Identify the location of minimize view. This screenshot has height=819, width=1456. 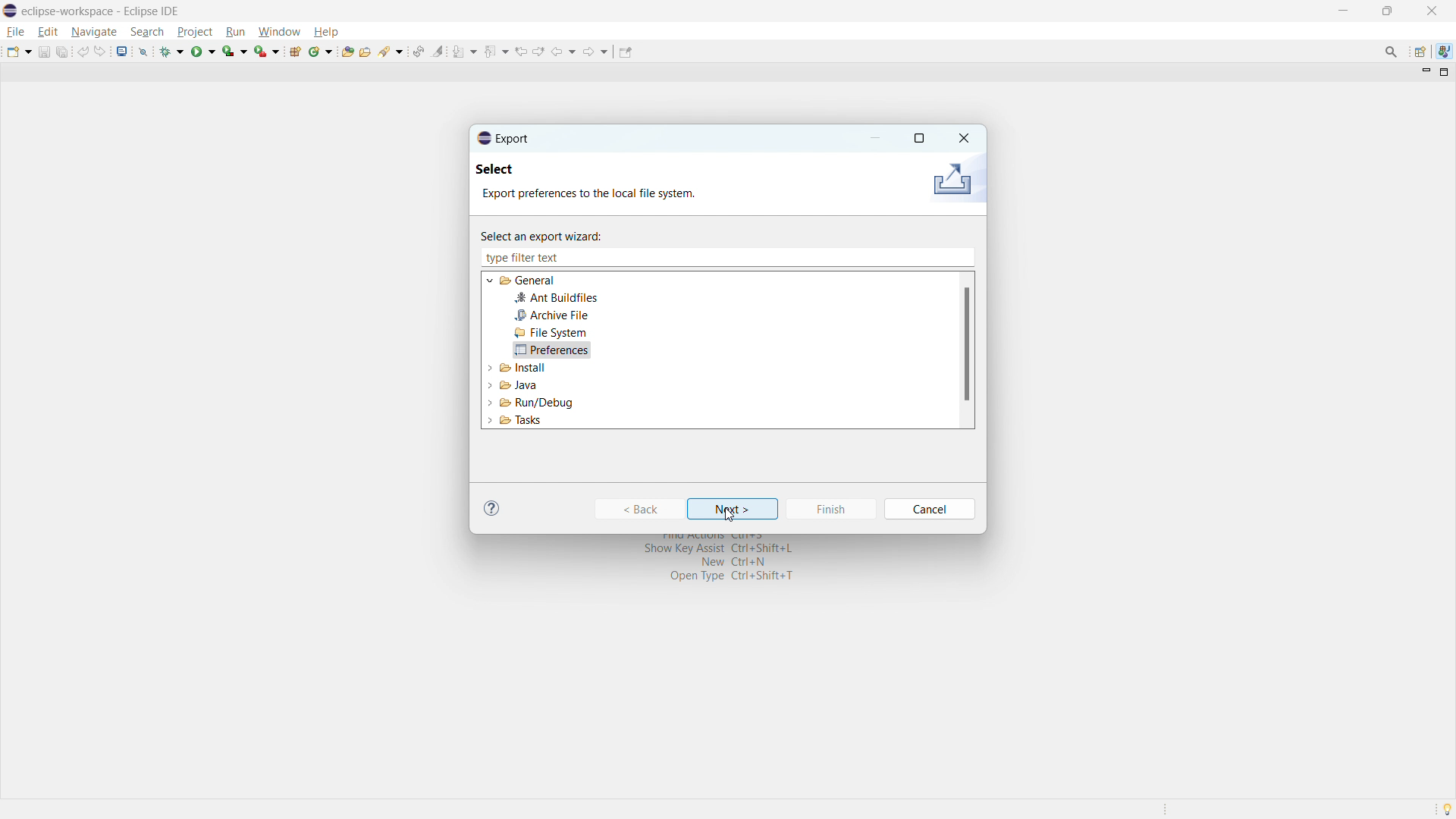
(1424, 73).